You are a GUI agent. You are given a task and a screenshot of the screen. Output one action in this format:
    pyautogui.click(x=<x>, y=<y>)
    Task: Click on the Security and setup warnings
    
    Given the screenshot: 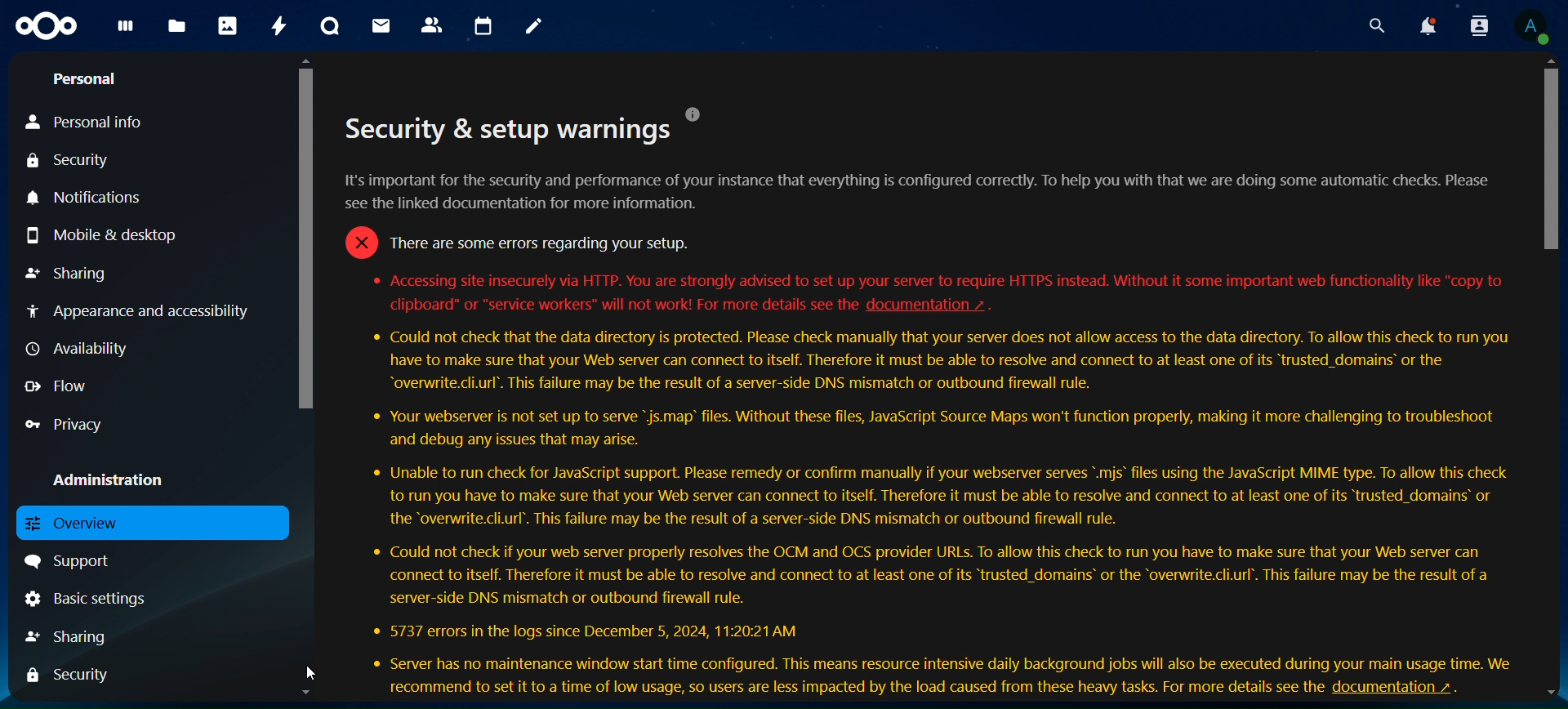 What is the action you would take?
    pyautogui.click(x=507, y=127)
    